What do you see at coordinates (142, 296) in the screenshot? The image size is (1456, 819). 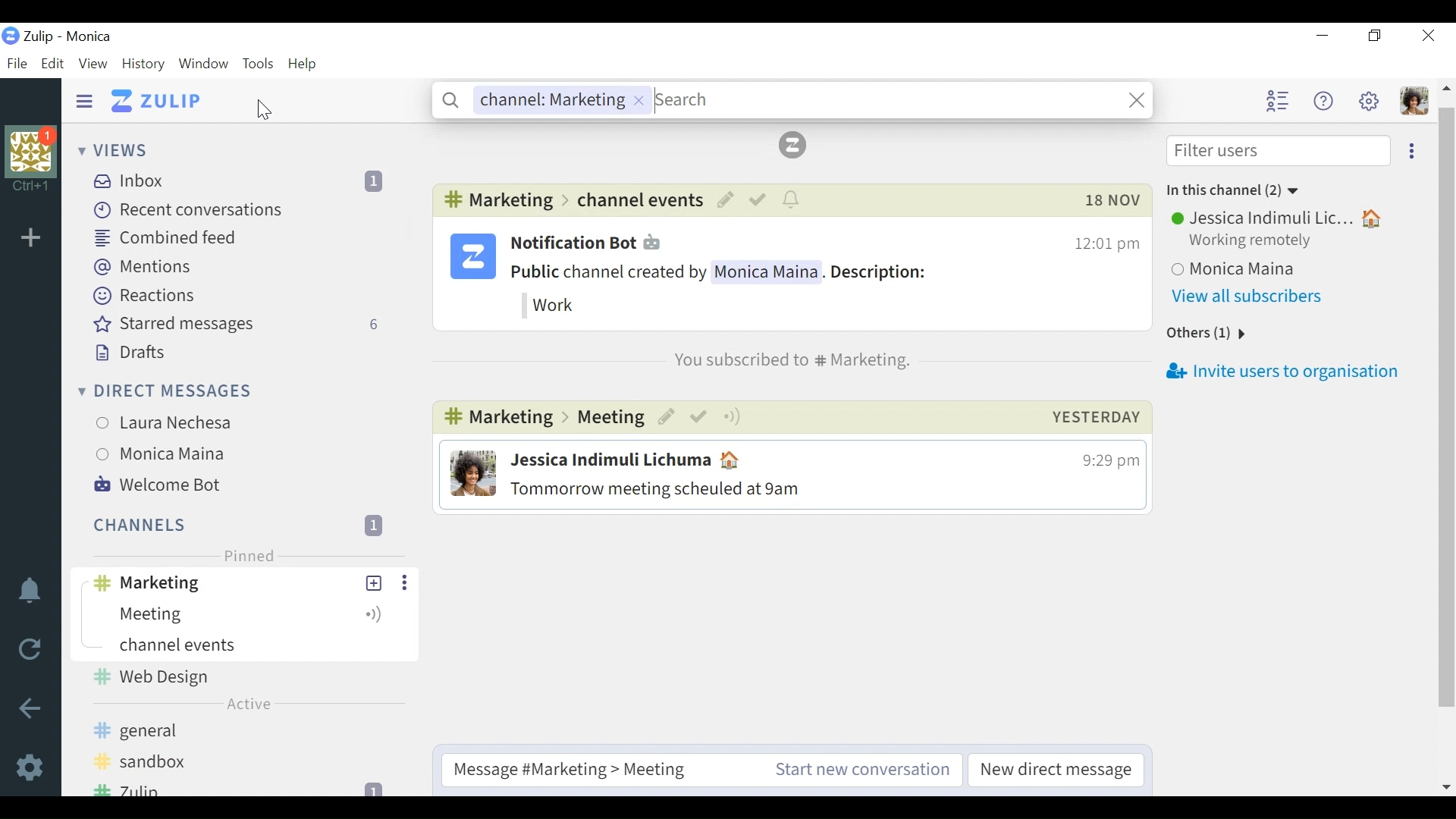 I see `Reactions` at bounding box center [142, 296].